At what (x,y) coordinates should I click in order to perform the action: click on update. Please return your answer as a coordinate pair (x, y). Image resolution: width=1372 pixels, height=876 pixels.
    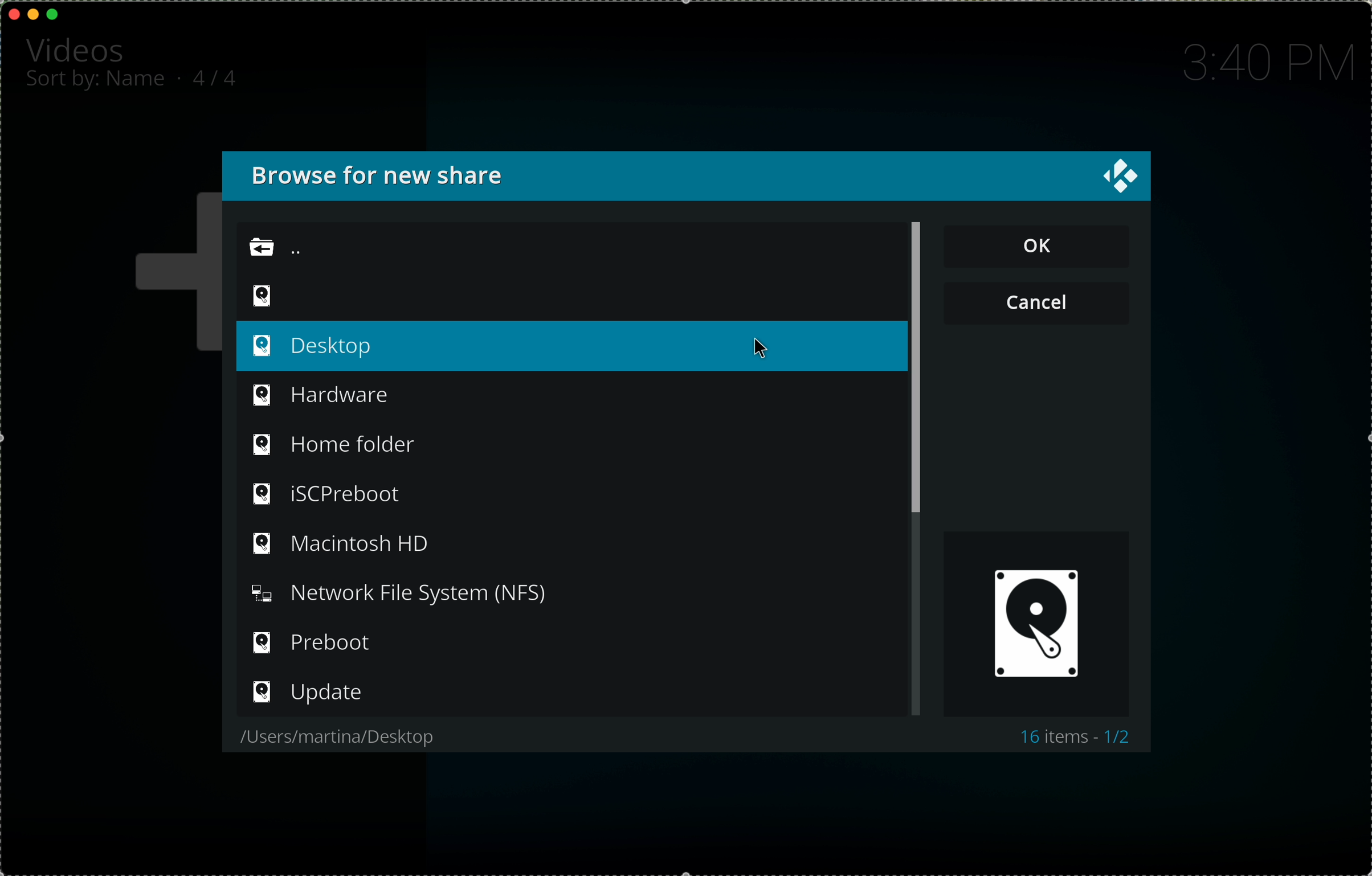
    Looking at the image, I should click on (307, 691).